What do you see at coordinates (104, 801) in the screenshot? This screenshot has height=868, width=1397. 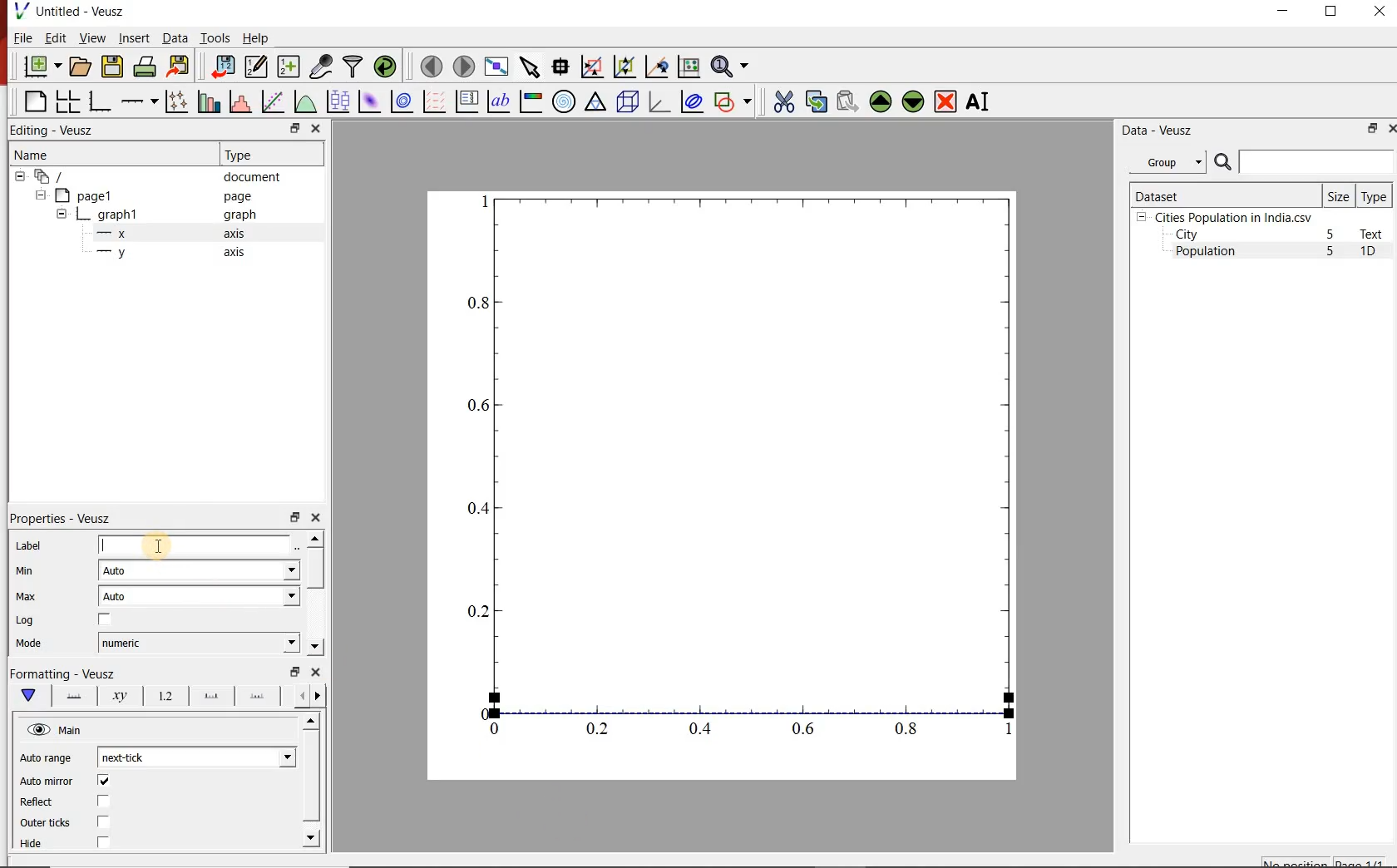 I see `check/uncheck` at bounding box center [104, 801].